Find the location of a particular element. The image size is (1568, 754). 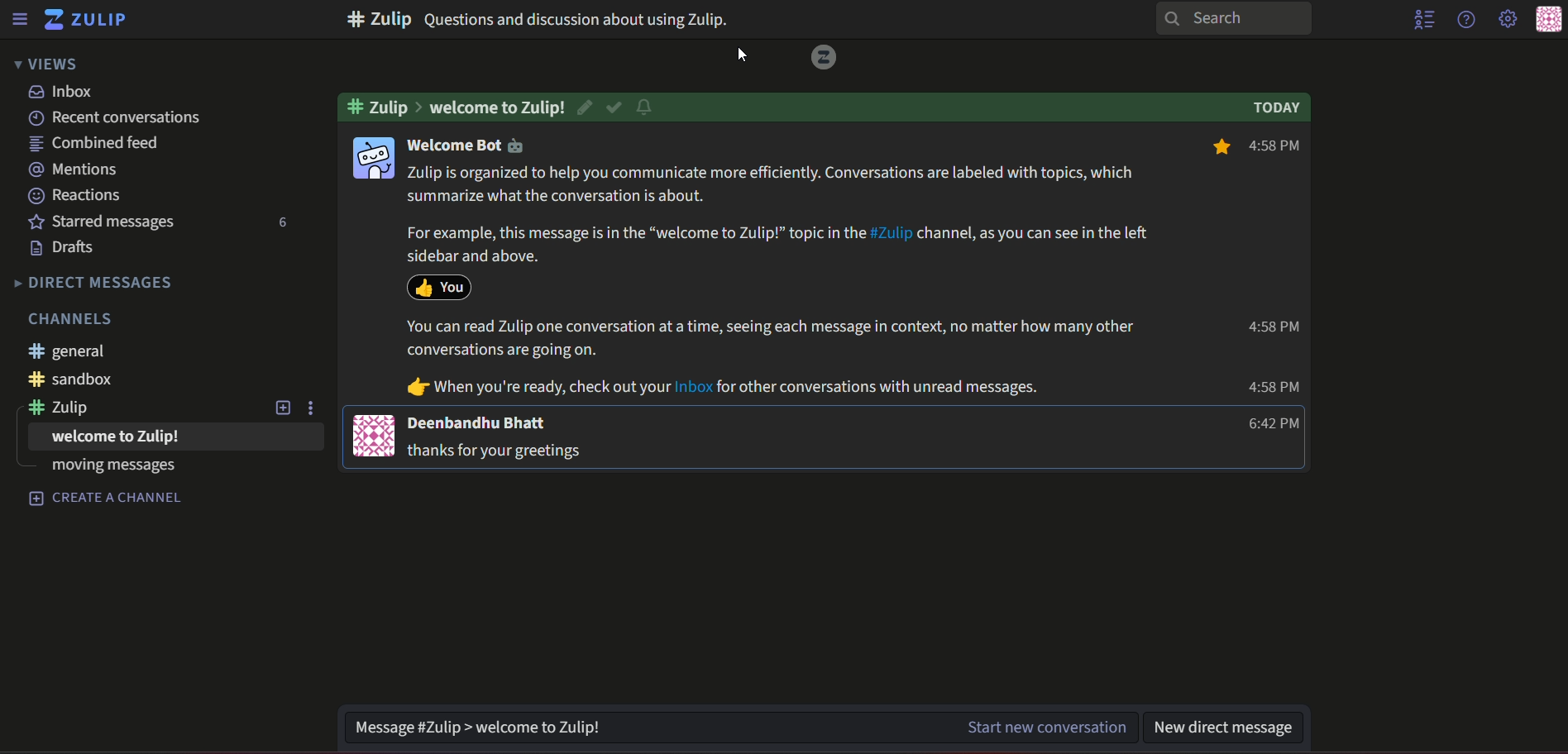

#zulip is located at coordinates (64, 408).